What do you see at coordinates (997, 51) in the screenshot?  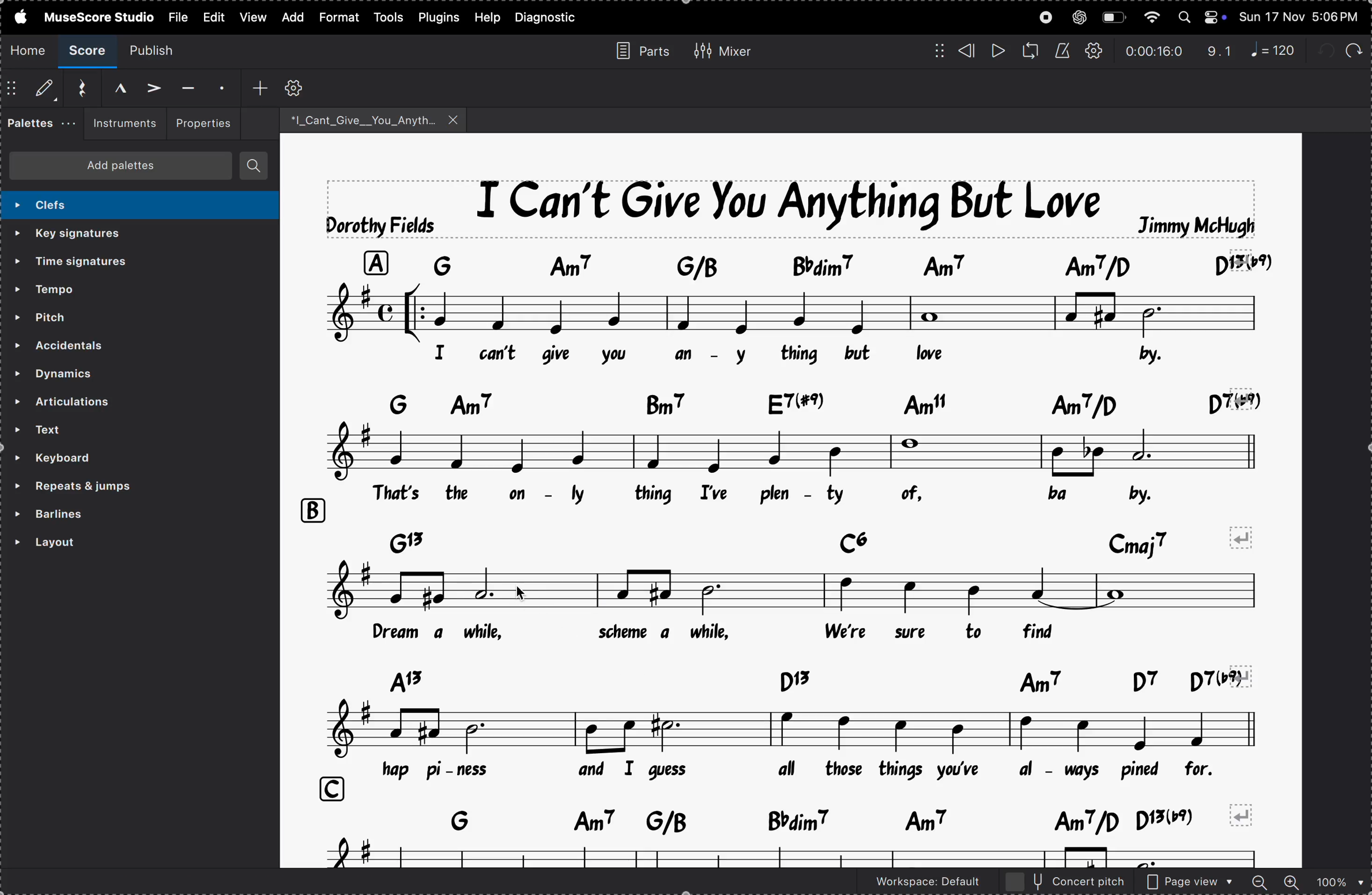 I see `play` at bounding box center [997, 51].